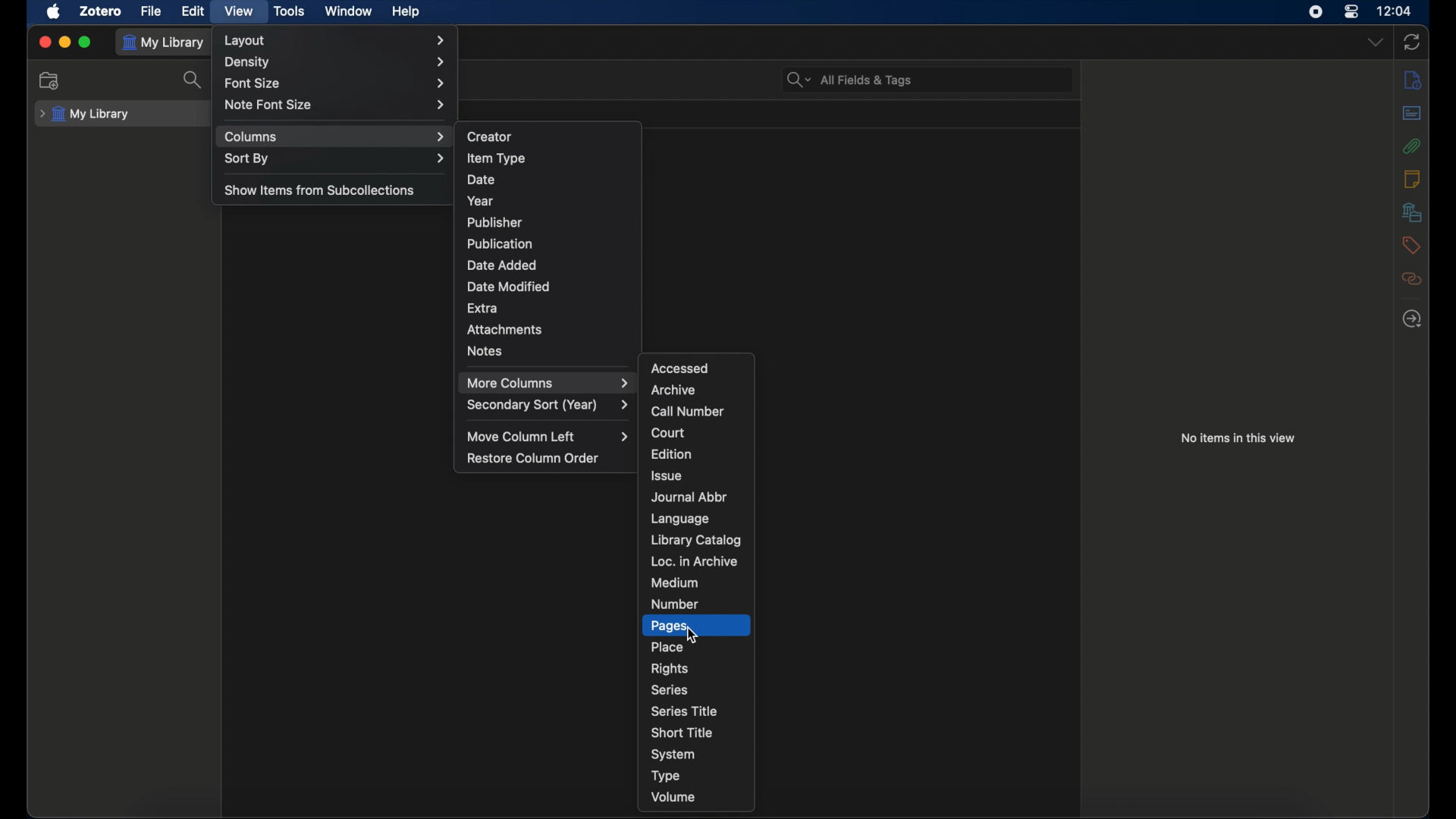 The width and height of the screenshot is (1456, 819). I want to click on publisher, so click(495, 222).